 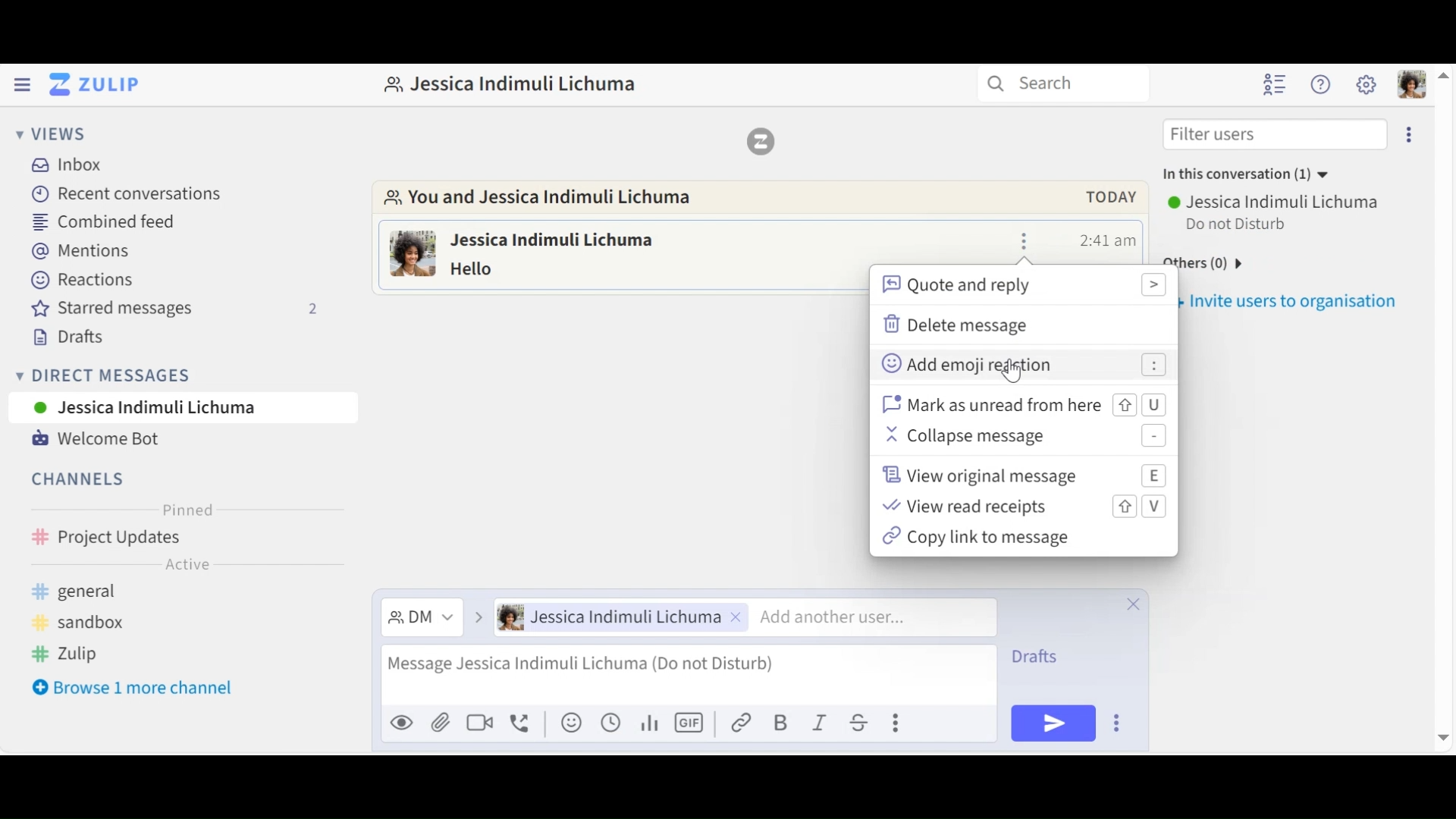 I want to click on Add user, so click(x=865, y=617).